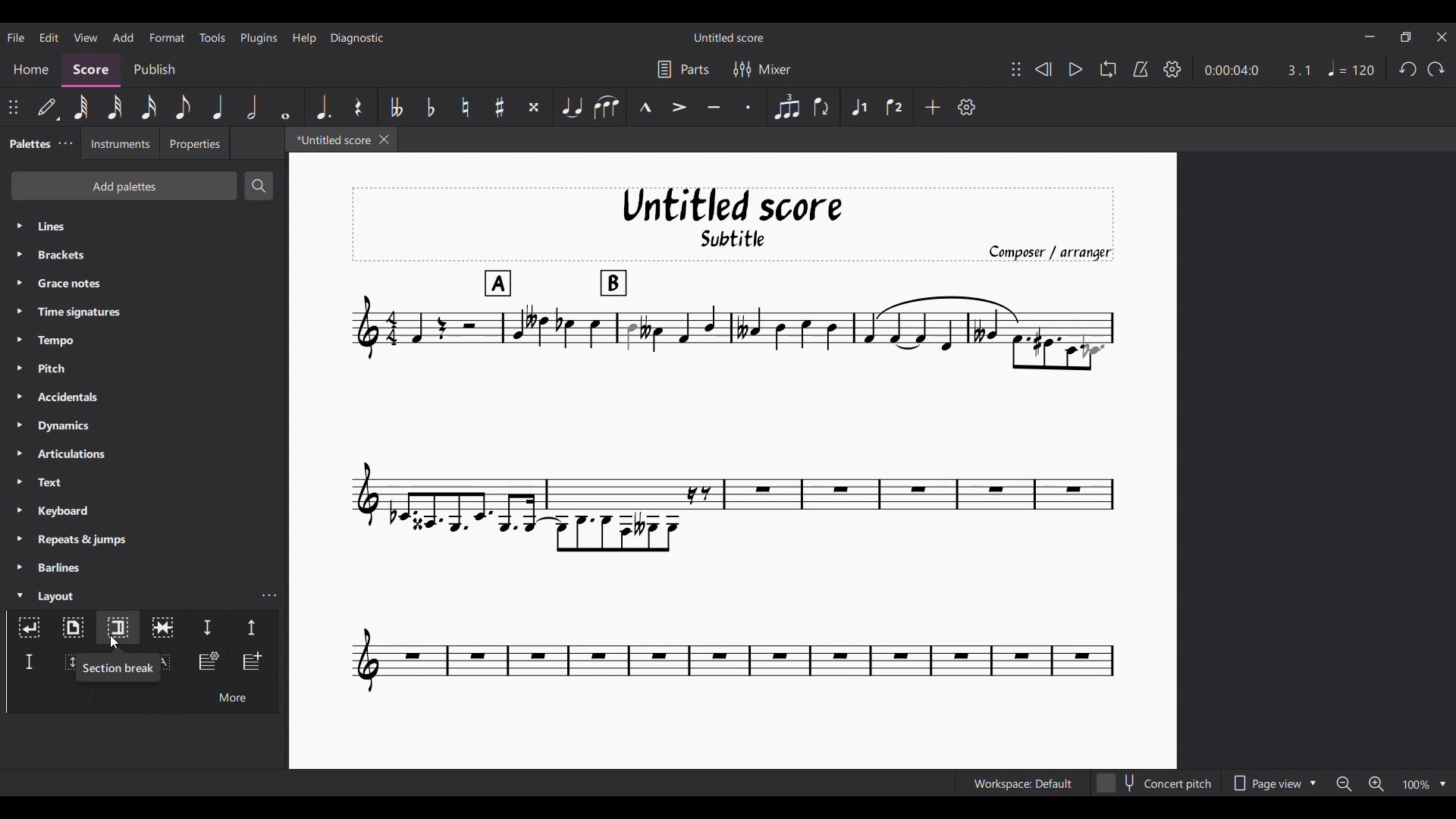  I want to click on Add menu, so click(124, 37).